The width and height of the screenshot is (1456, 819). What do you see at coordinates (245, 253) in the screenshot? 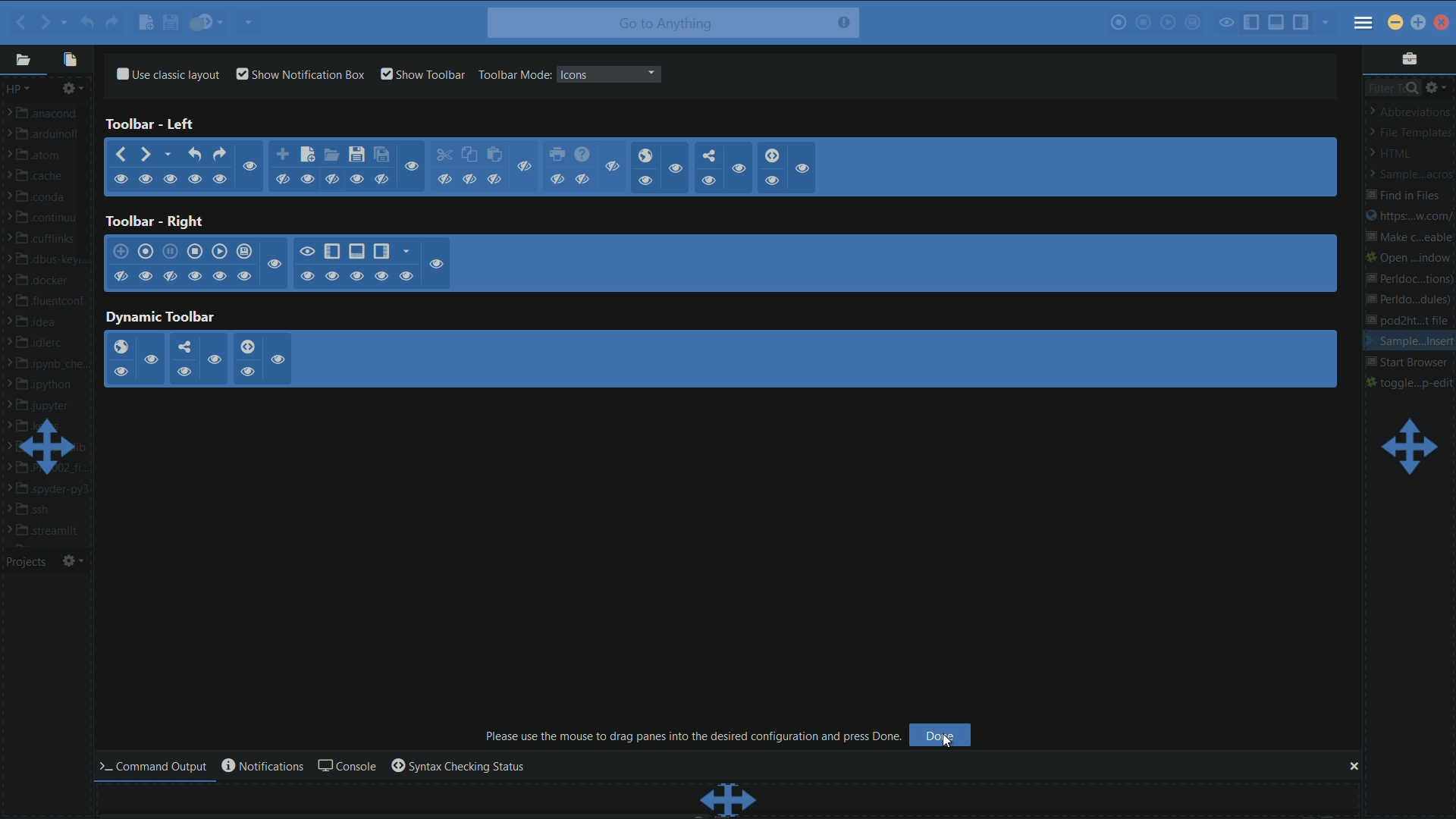
I see `save macro to toolbox` at bounding box center [245, 253].